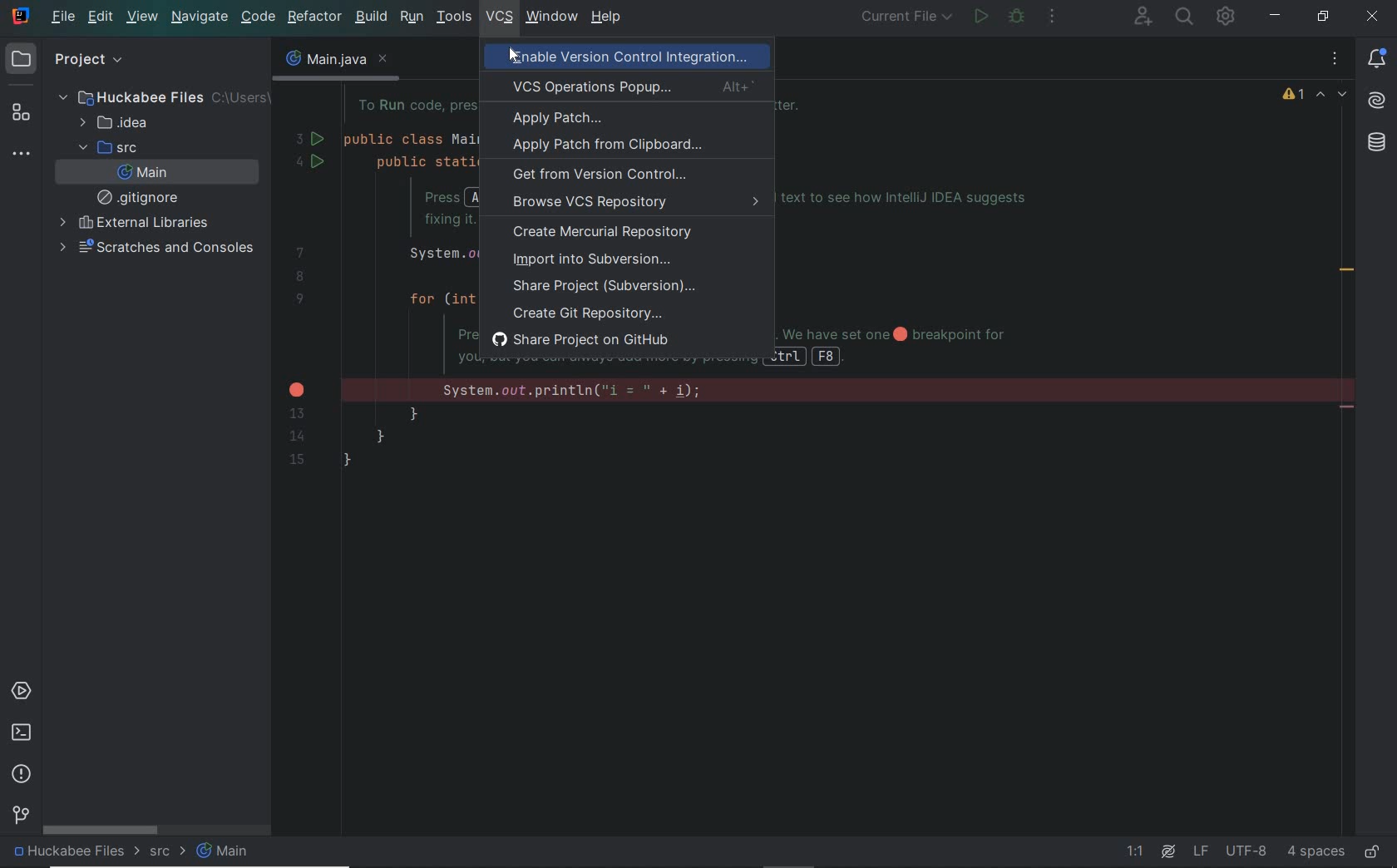 The width and height of the screenshot is (1397, 868). What do you see at coordinates (158, 248) in the screenshot?
I see `scratches and consoles` at bounding box center [158, 248].